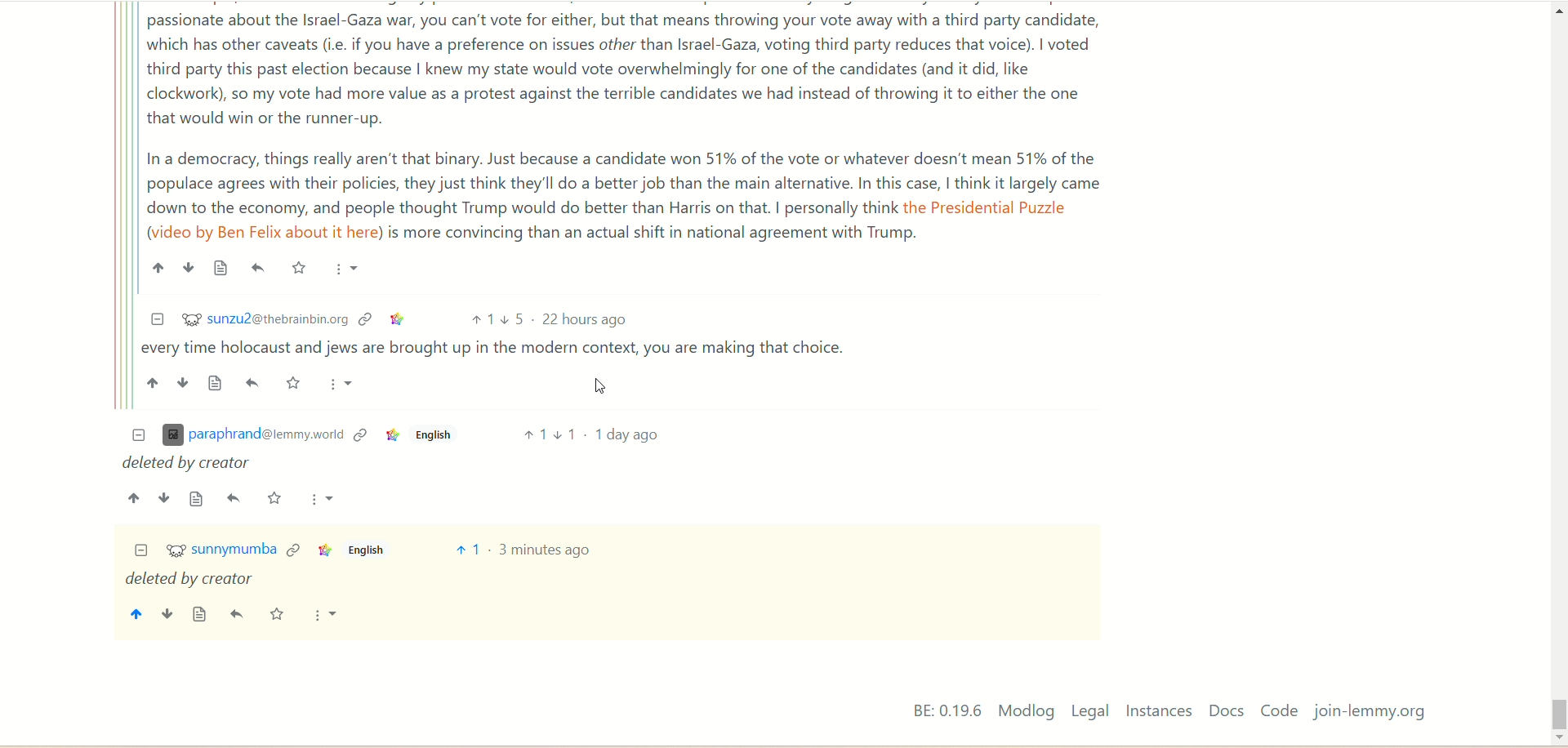 This screenshot has width=1568, height=748. I want to click on Source, so click(217, 382).